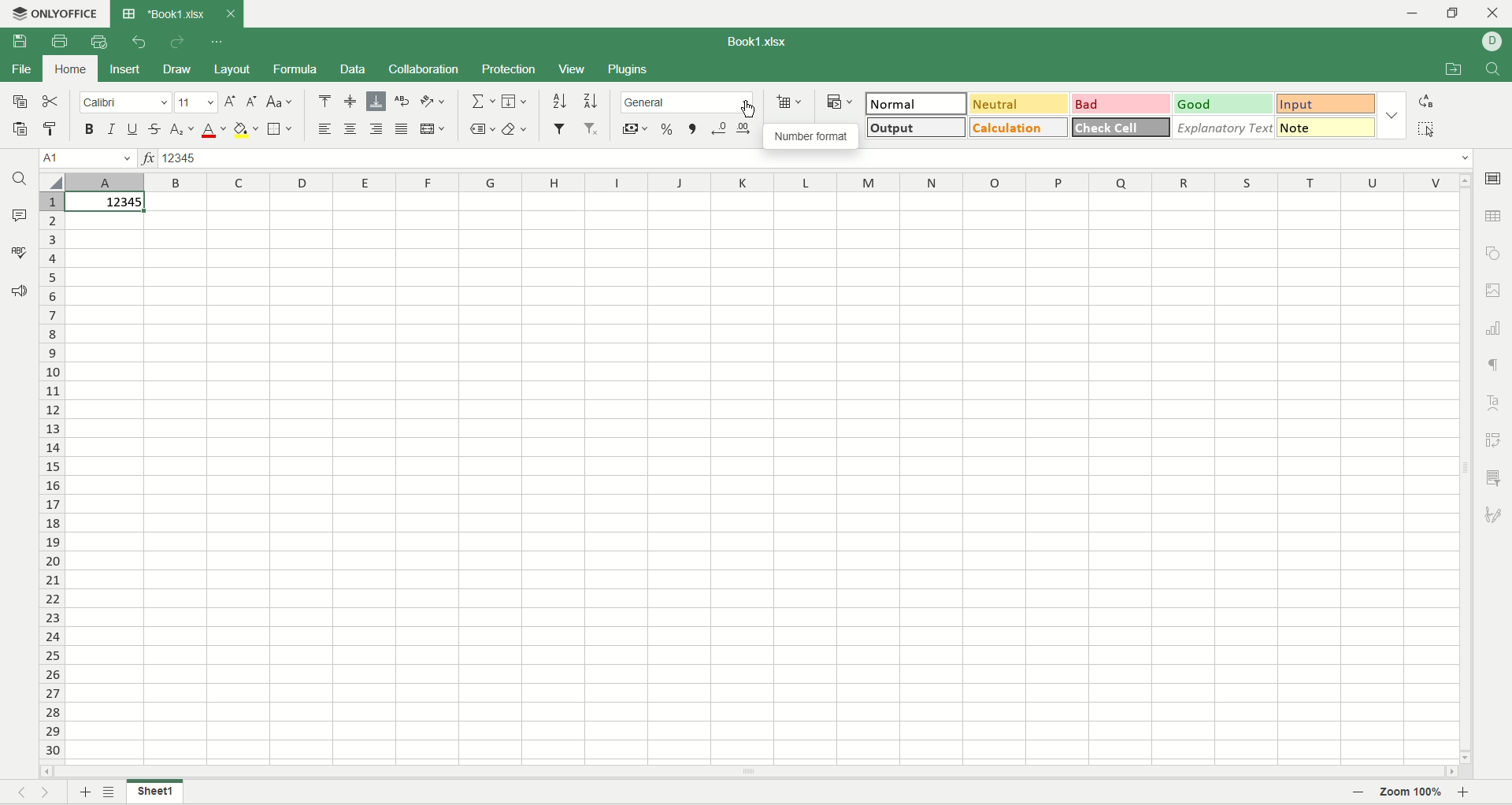  What do you see at coordinates (1493, 441) in the screenshot?
I see `pivot settings` at bounding box center [1493, 441].